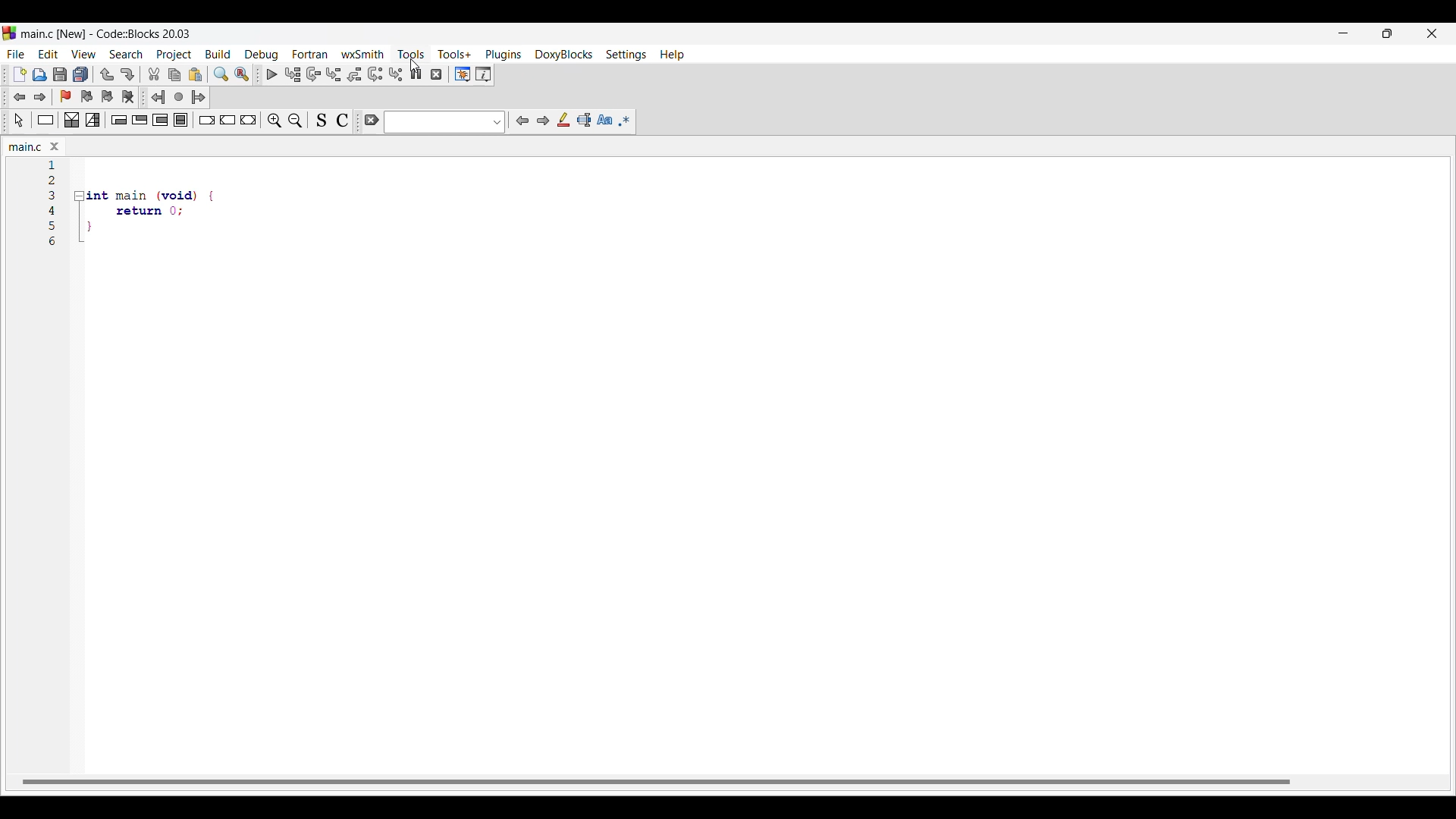  Describe the element at coordinates (584, 120) in the screenshot. I see `Select text` at that location.